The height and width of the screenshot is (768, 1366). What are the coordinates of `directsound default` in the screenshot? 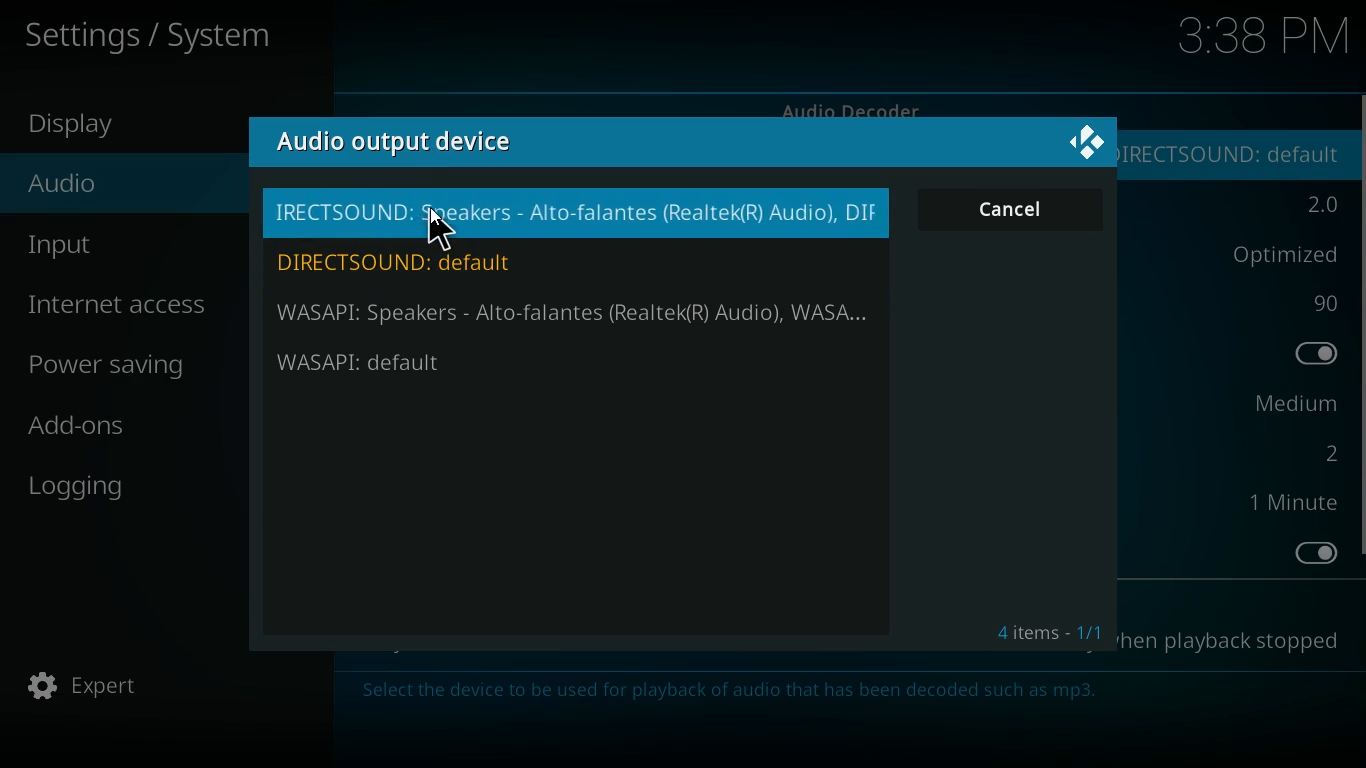 It's located at (422, 261).